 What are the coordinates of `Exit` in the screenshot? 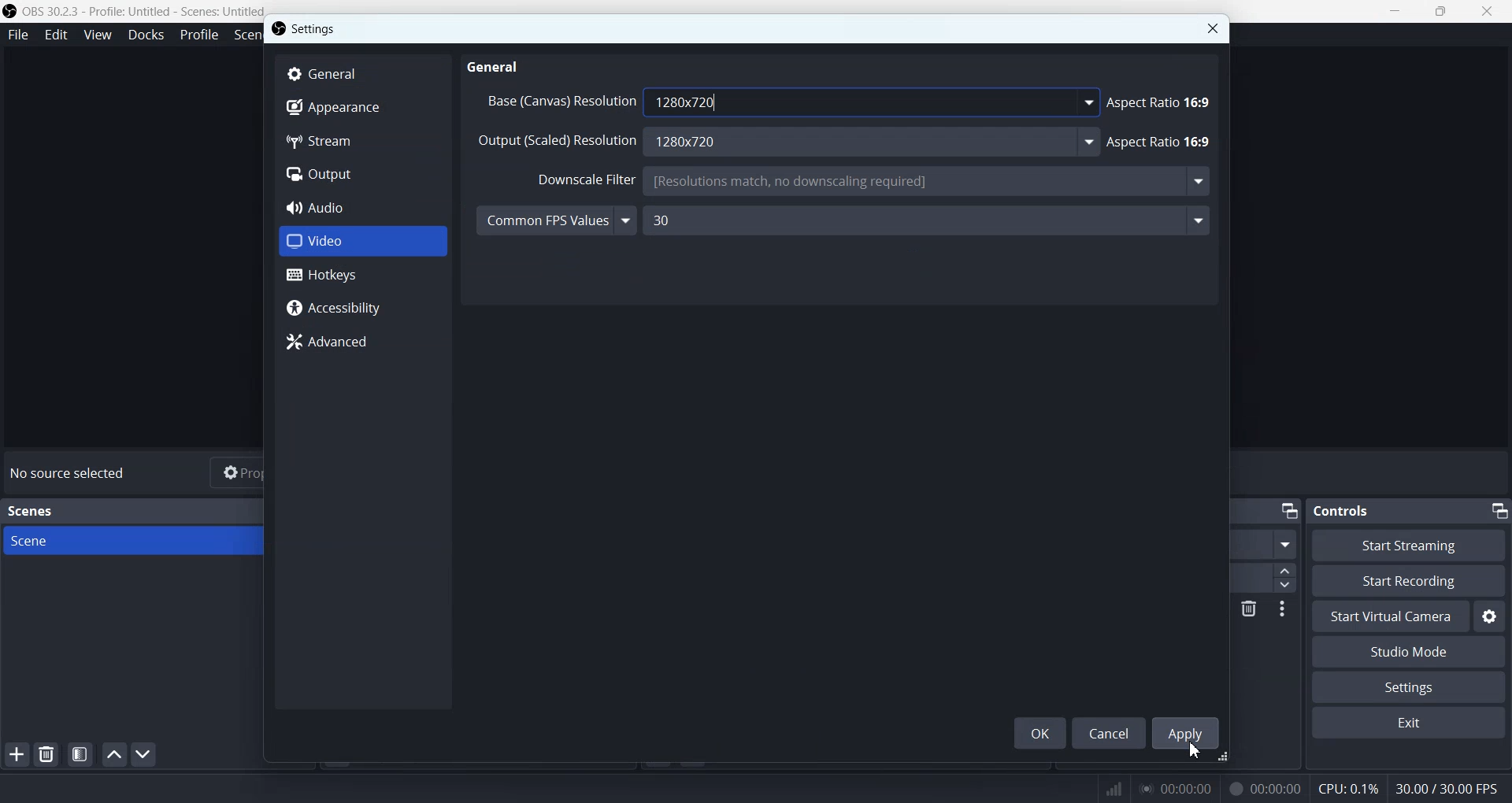 It's located at (1409, 723).